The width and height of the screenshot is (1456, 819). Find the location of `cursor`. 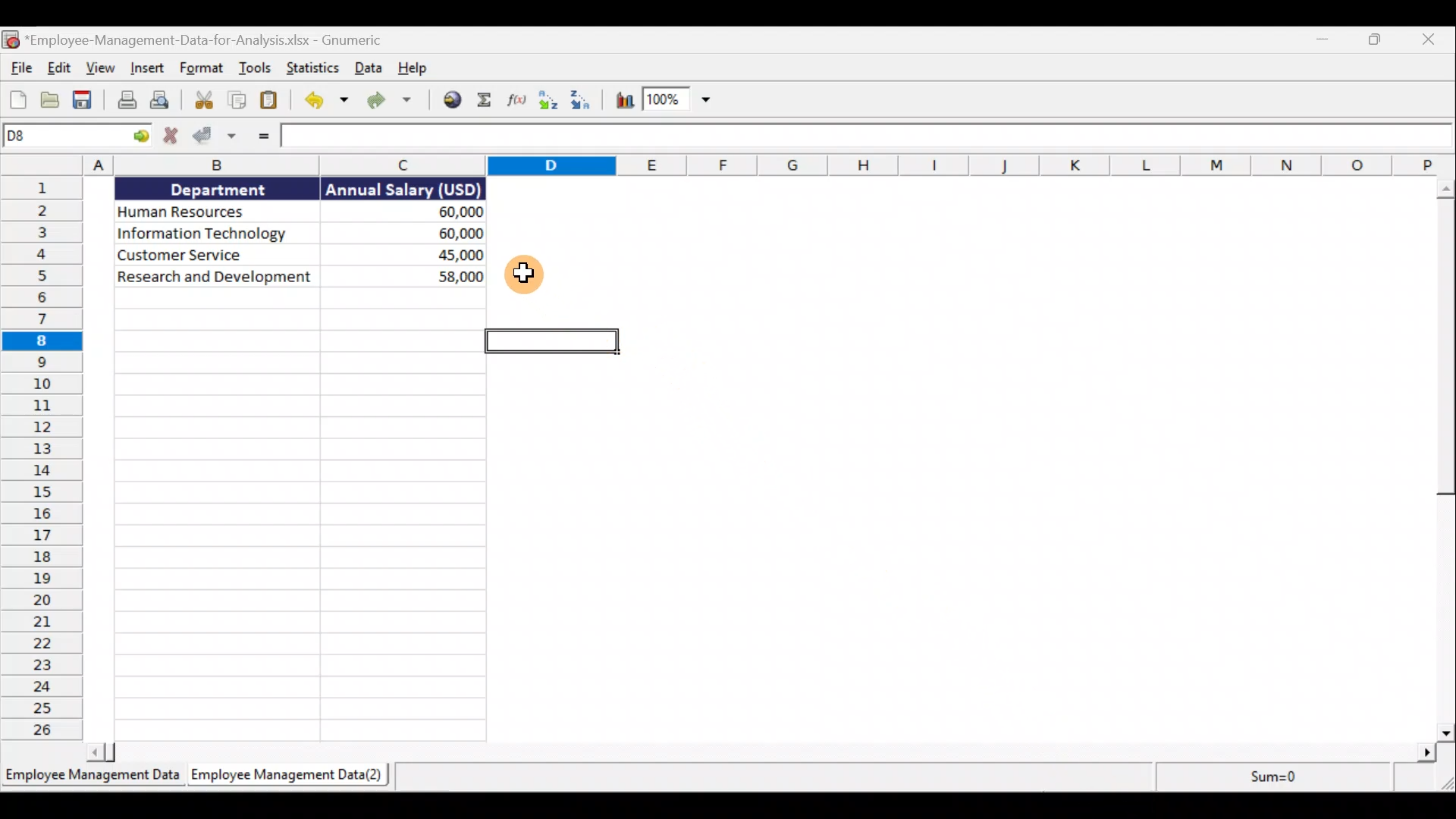

cursor is located at coordinates (525, 275).